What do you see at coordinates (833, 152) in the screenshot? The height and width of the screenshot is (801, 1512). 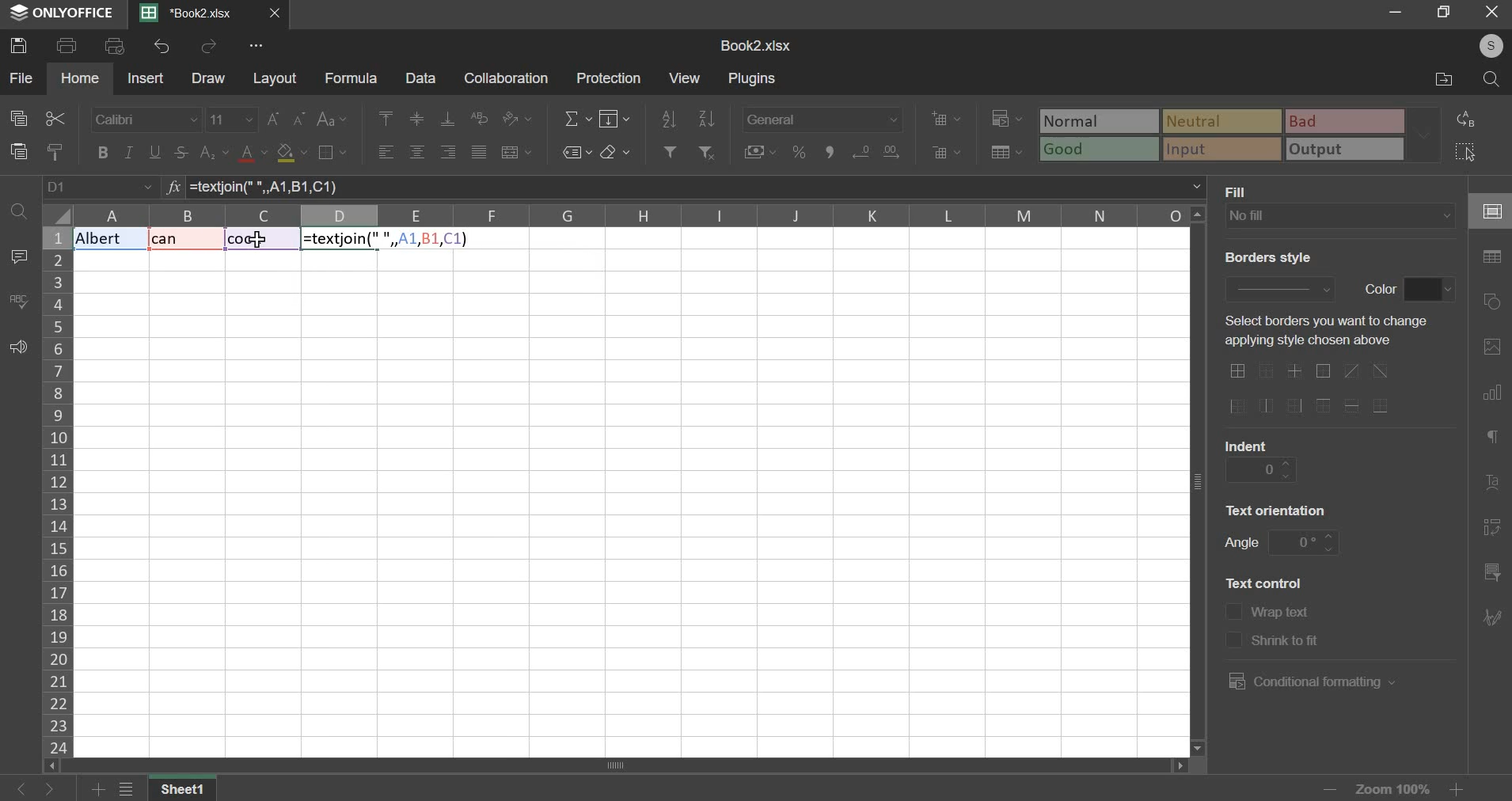 I see `comma style` at bounding box center [833, 152].